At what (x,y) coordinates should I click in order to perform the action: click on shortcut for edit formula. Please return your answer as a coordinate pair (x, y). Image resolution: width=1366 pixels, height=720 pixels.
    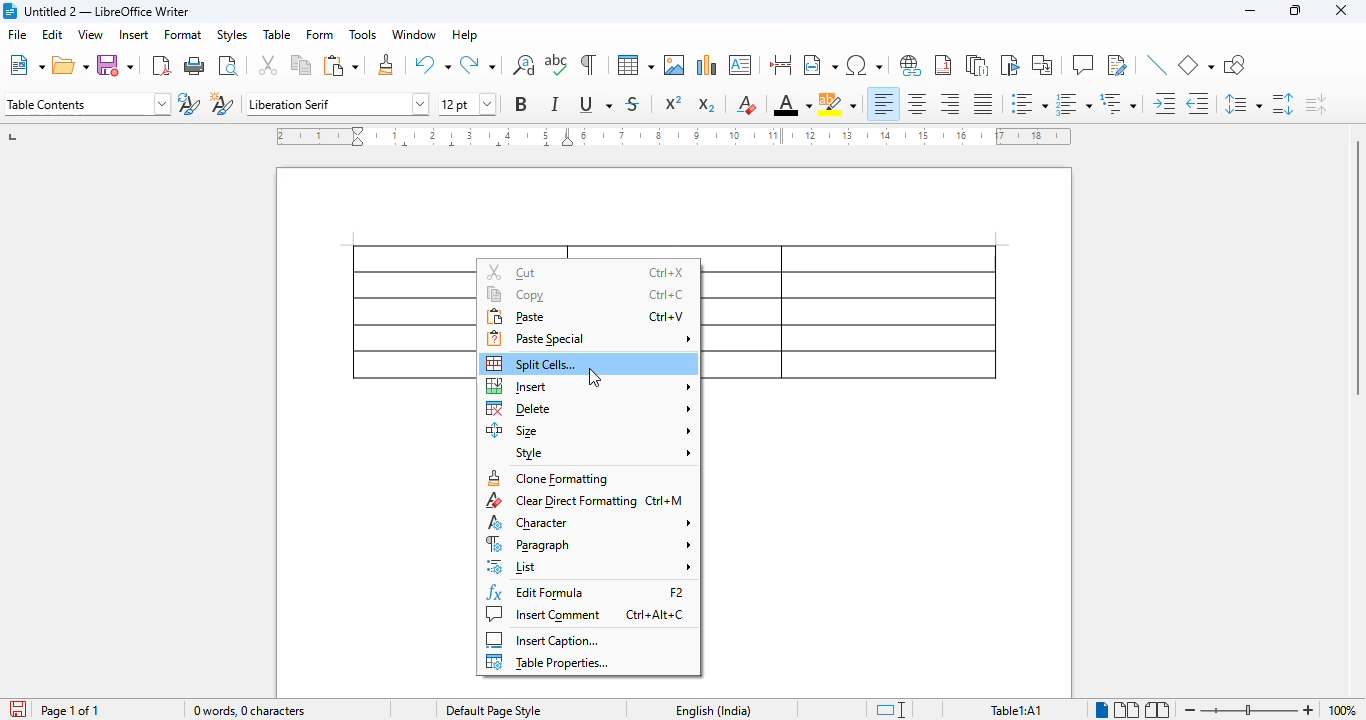
    Looking at the image, I should click on (677, 593).